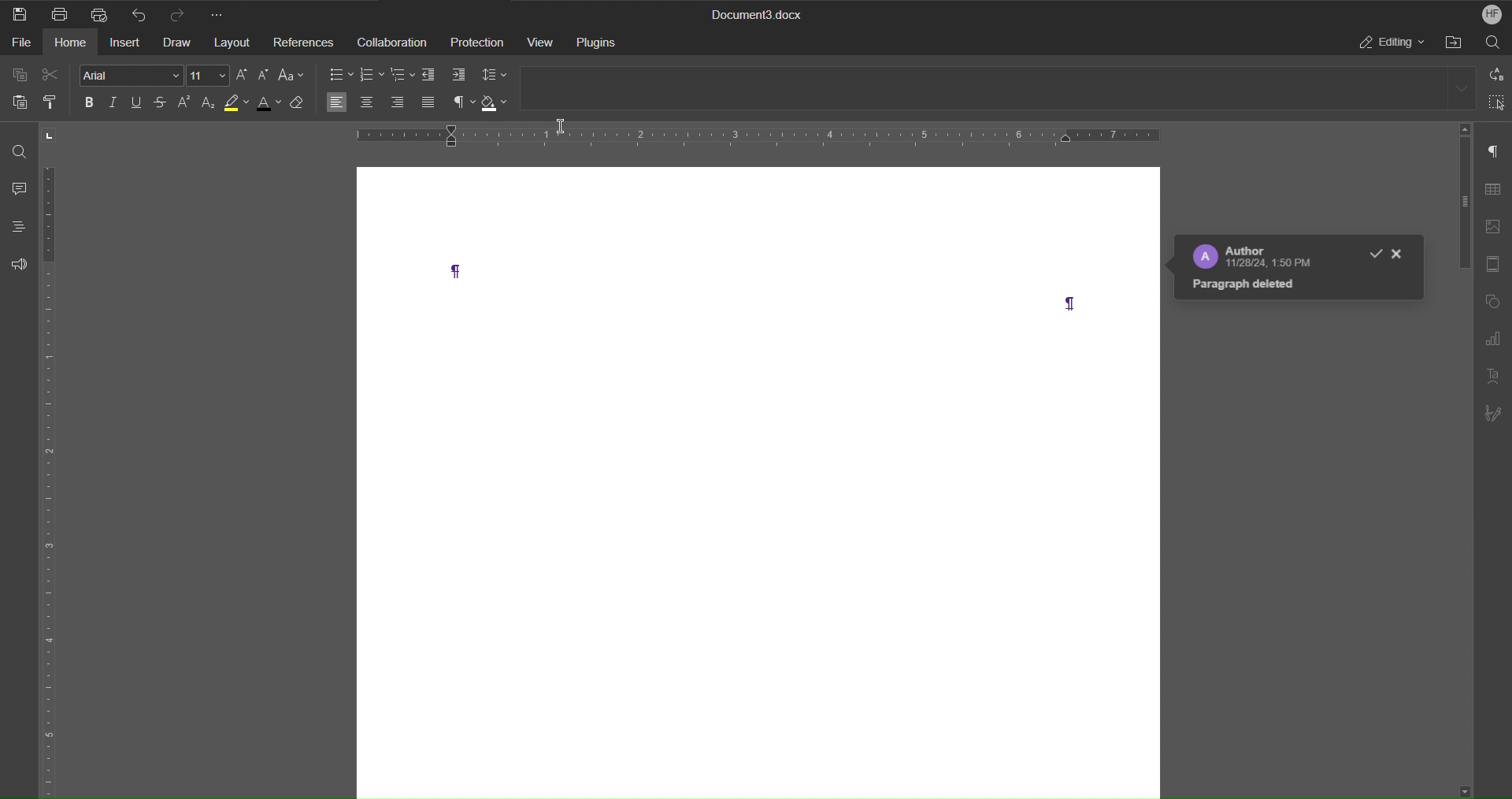 The width and height of the screenshot is (1512, 799). Describe the element at coordinates (337, 102) in the screenshot. I see `Alignment` at that location.